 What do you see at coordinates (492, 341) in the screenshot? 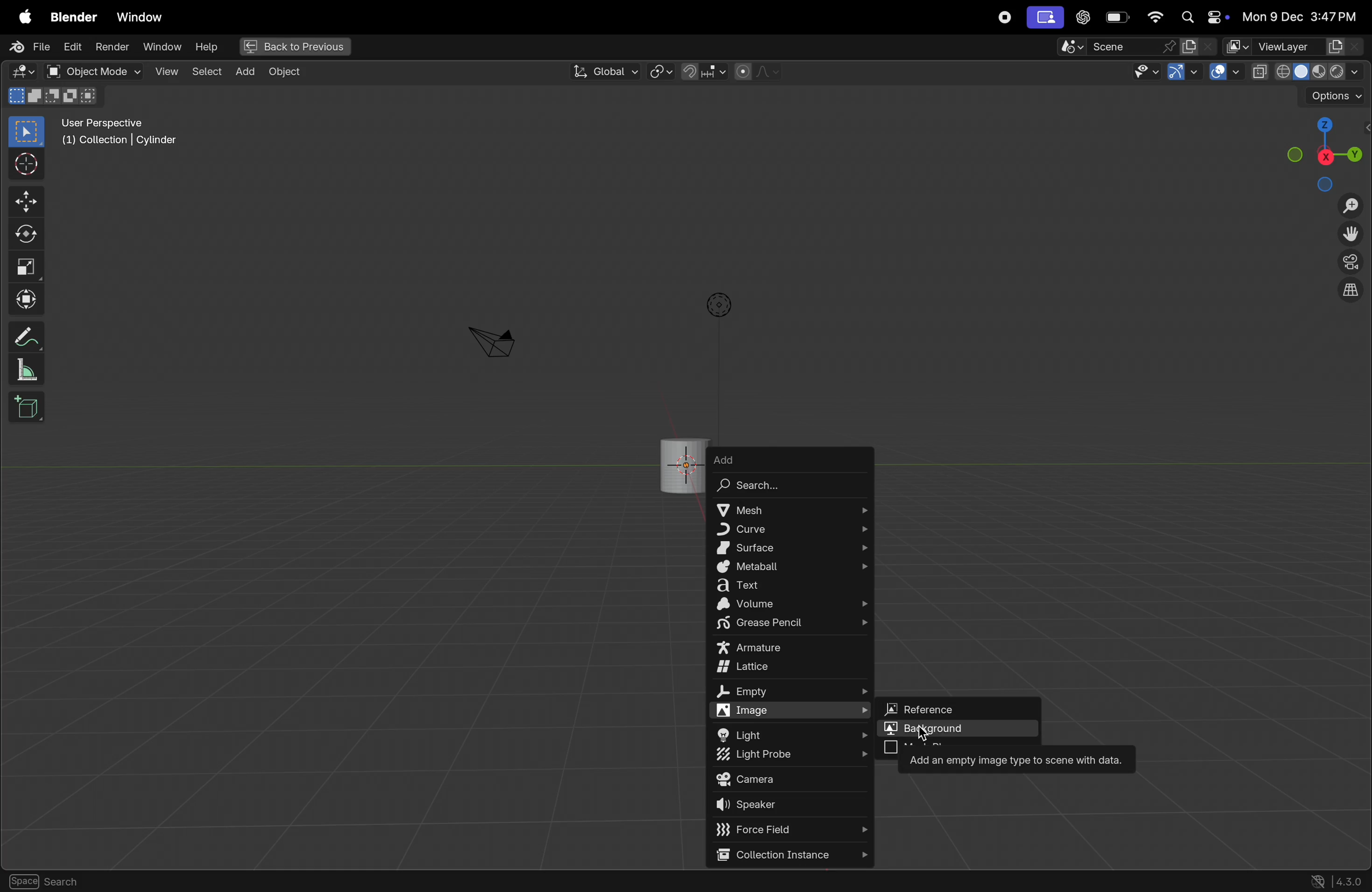
I see `camera` at bounding box center [492, 341].